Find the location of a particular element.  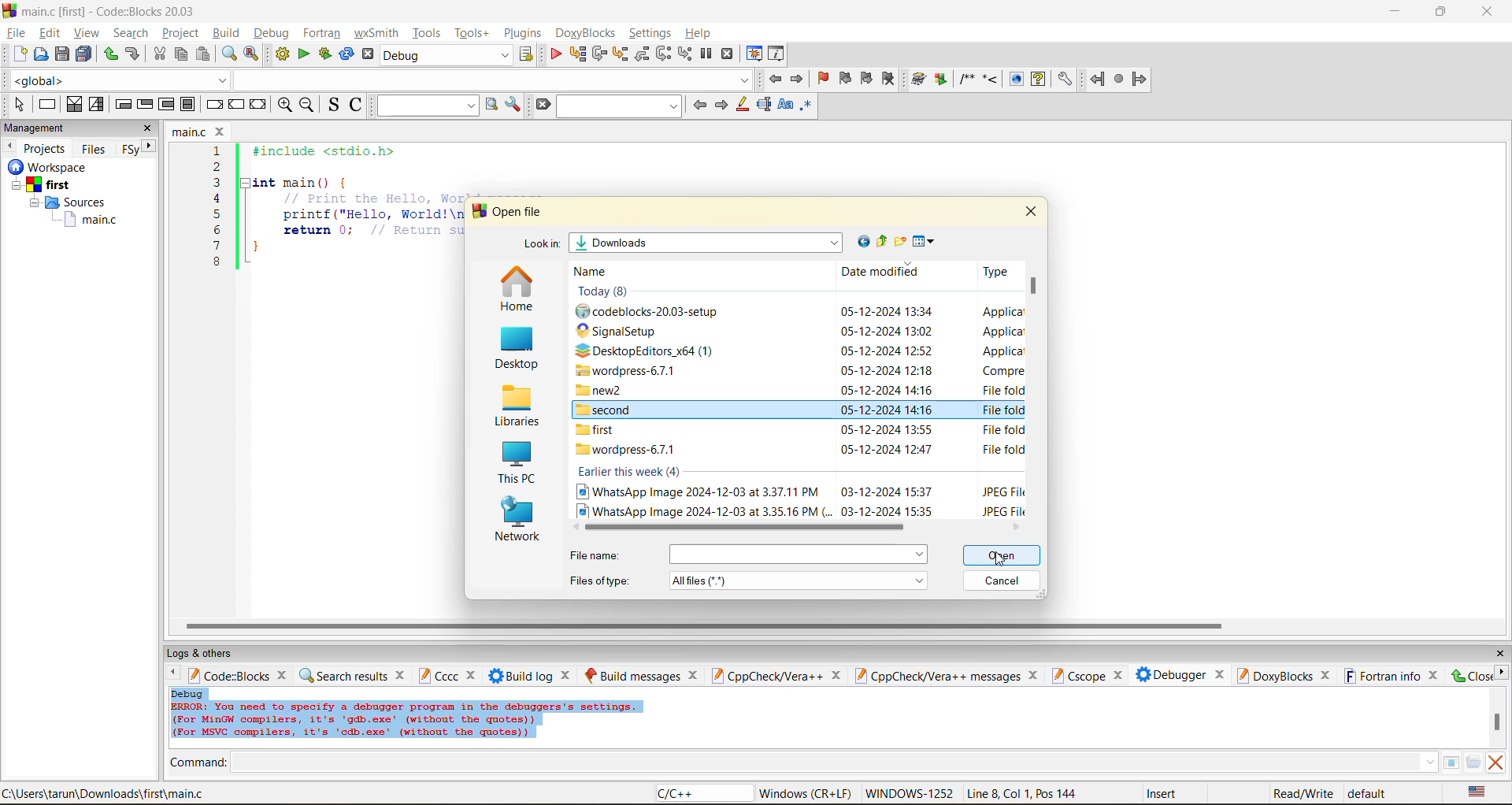

build is located at coordinates (919, 80).